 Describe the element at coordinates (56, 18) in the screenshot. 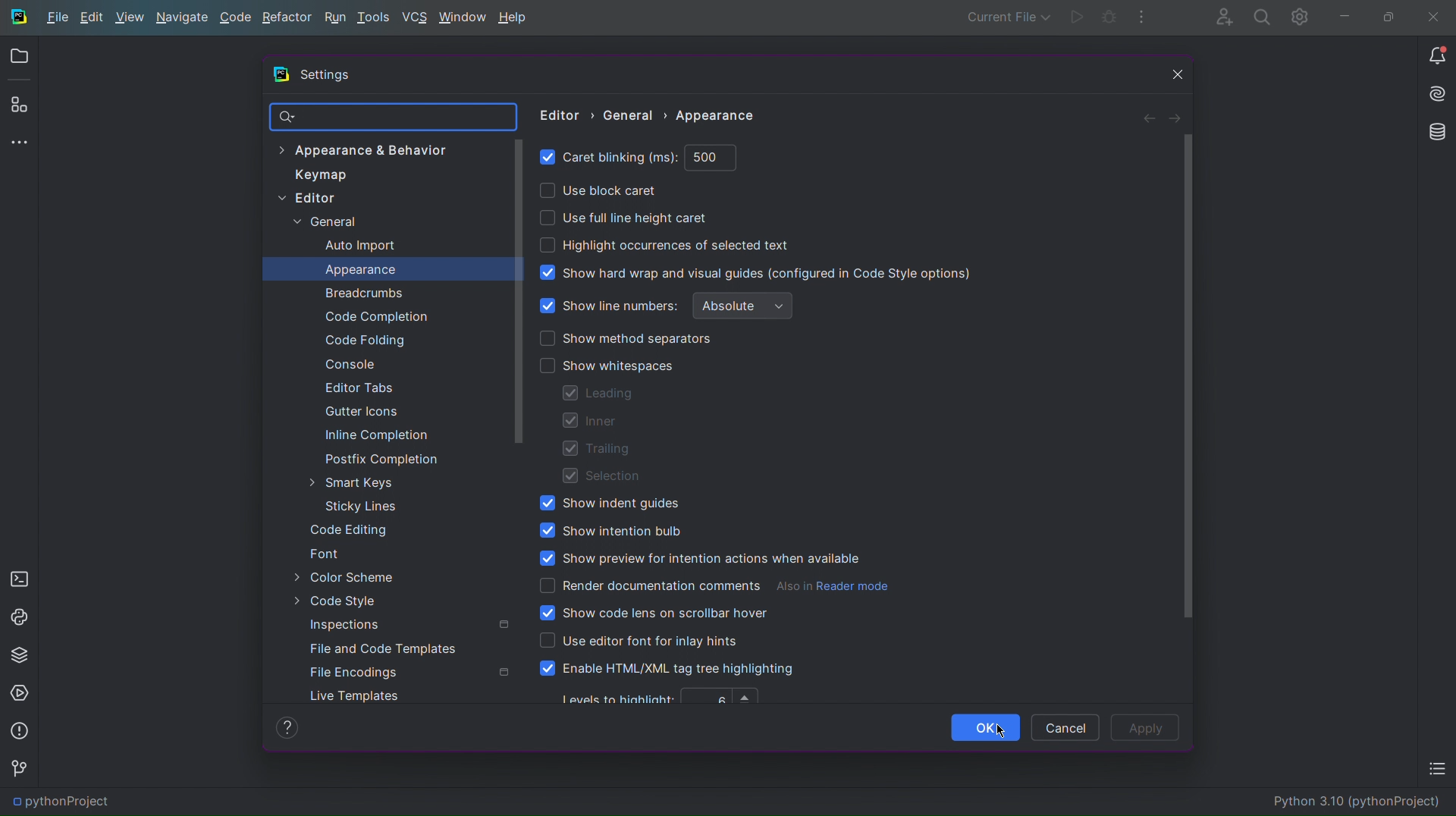

I see `File` at that location.